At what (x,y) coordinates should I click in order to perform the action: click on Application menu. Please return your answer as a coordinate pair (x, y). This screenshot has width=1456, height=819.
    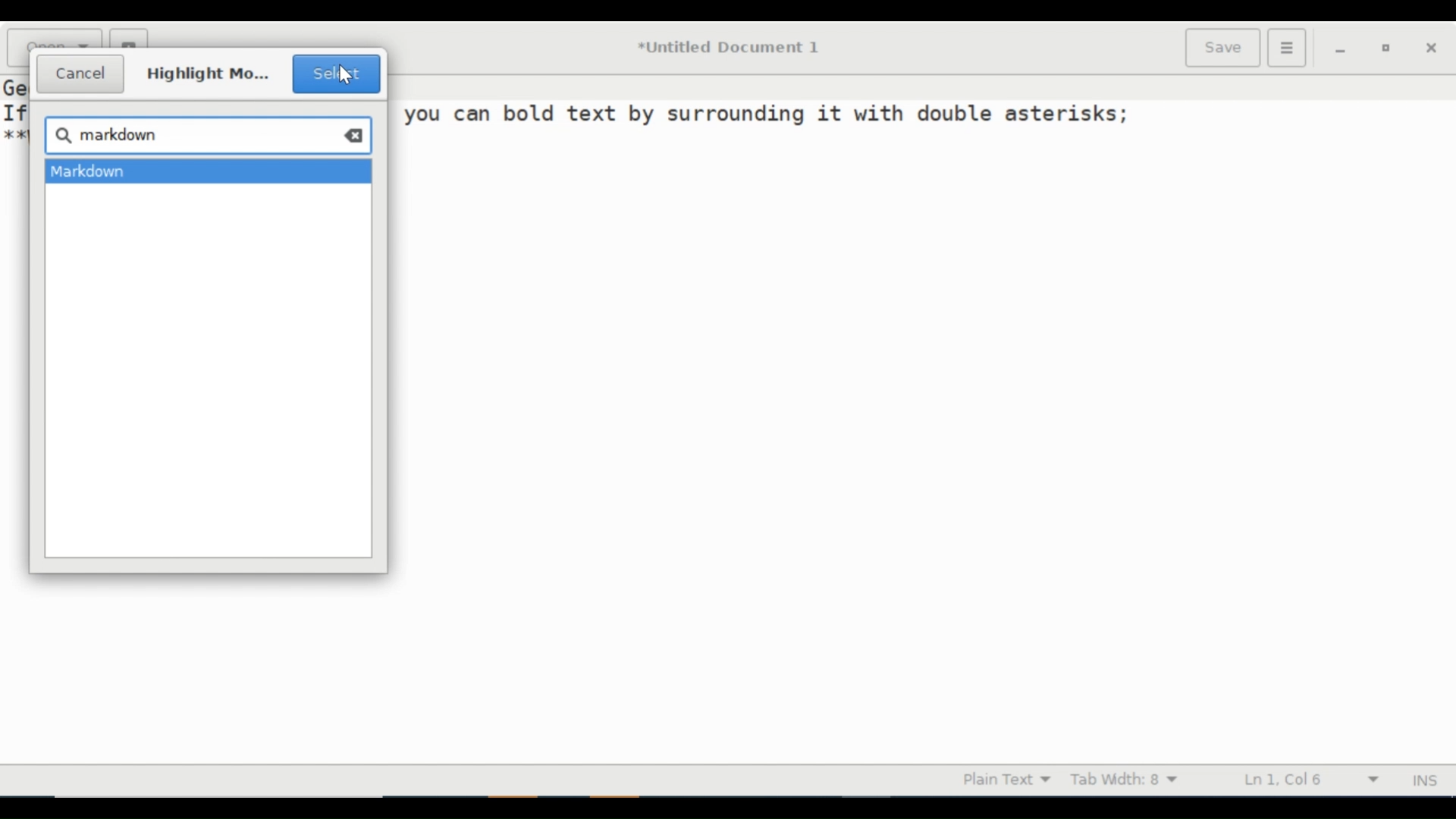
    Looking at the image, I should click on (1285, 47).